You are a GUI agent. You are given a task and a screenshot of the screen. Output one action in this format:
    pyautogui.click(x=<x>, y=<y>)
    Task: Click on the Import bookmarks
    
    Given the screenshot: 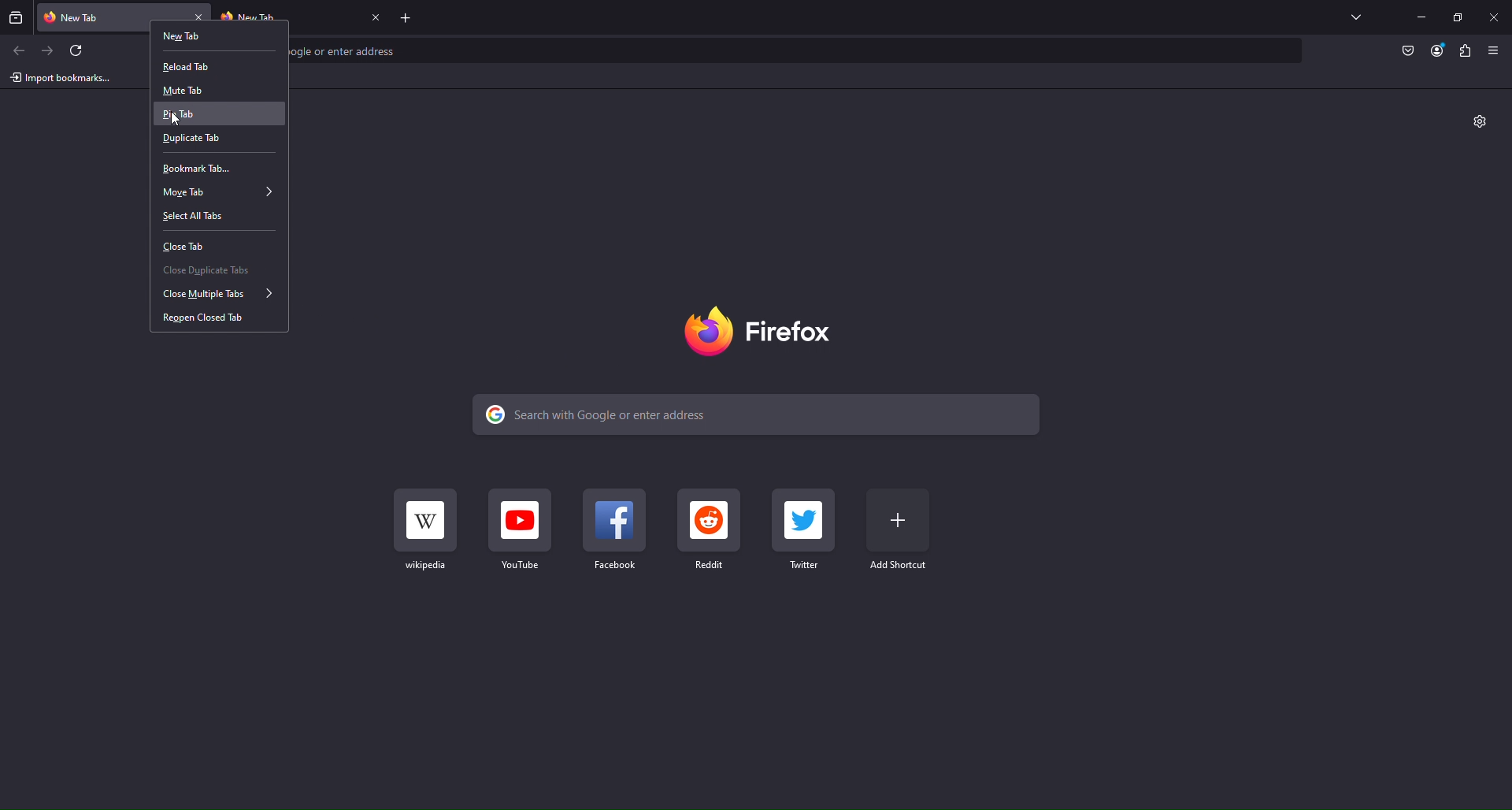 What is the action you would take?
    pyautogui.click(x=61, y=78)
    